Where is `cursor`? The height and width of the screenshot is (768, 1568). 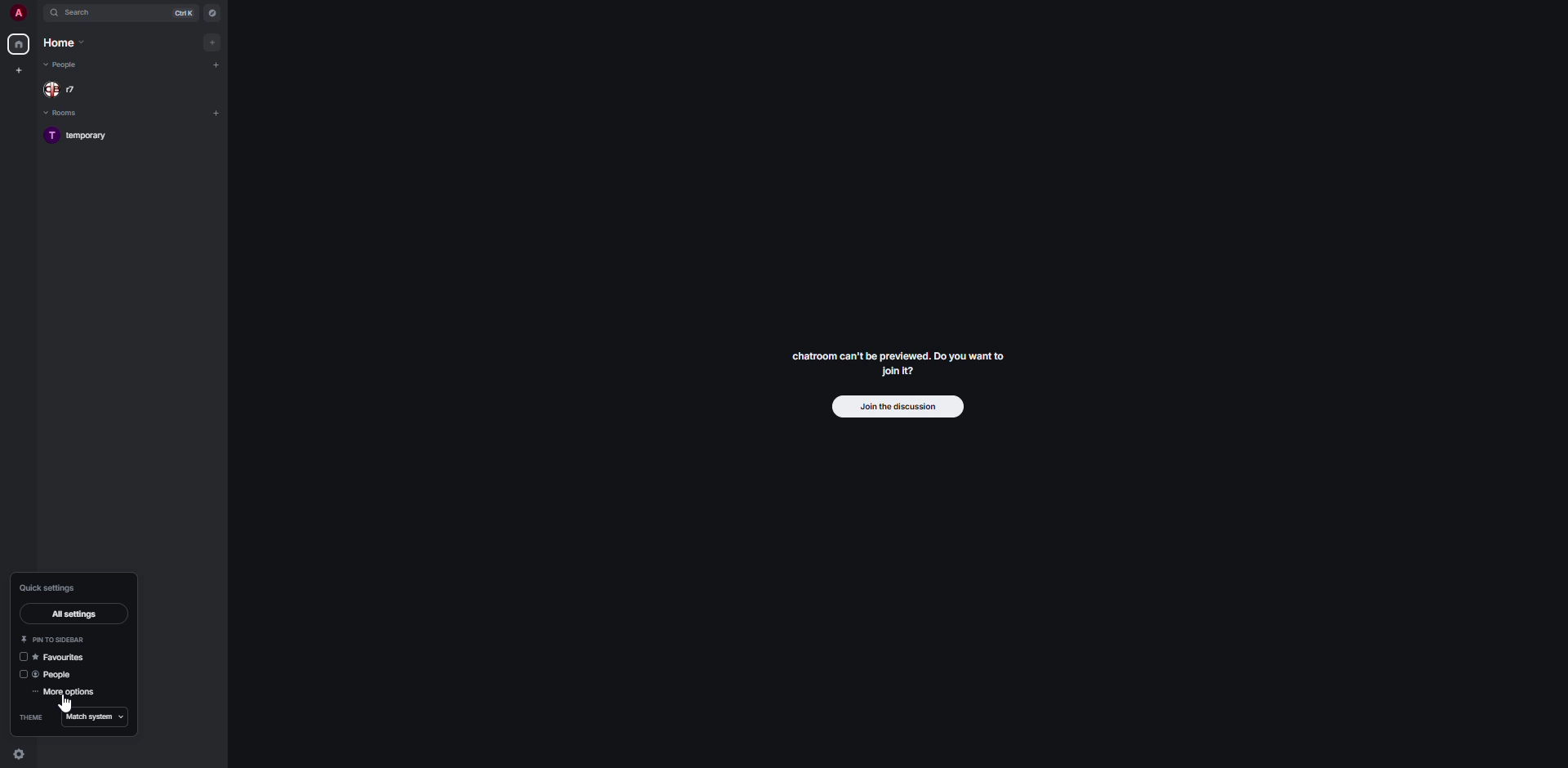 cursor is located at coordinates (67, 703).